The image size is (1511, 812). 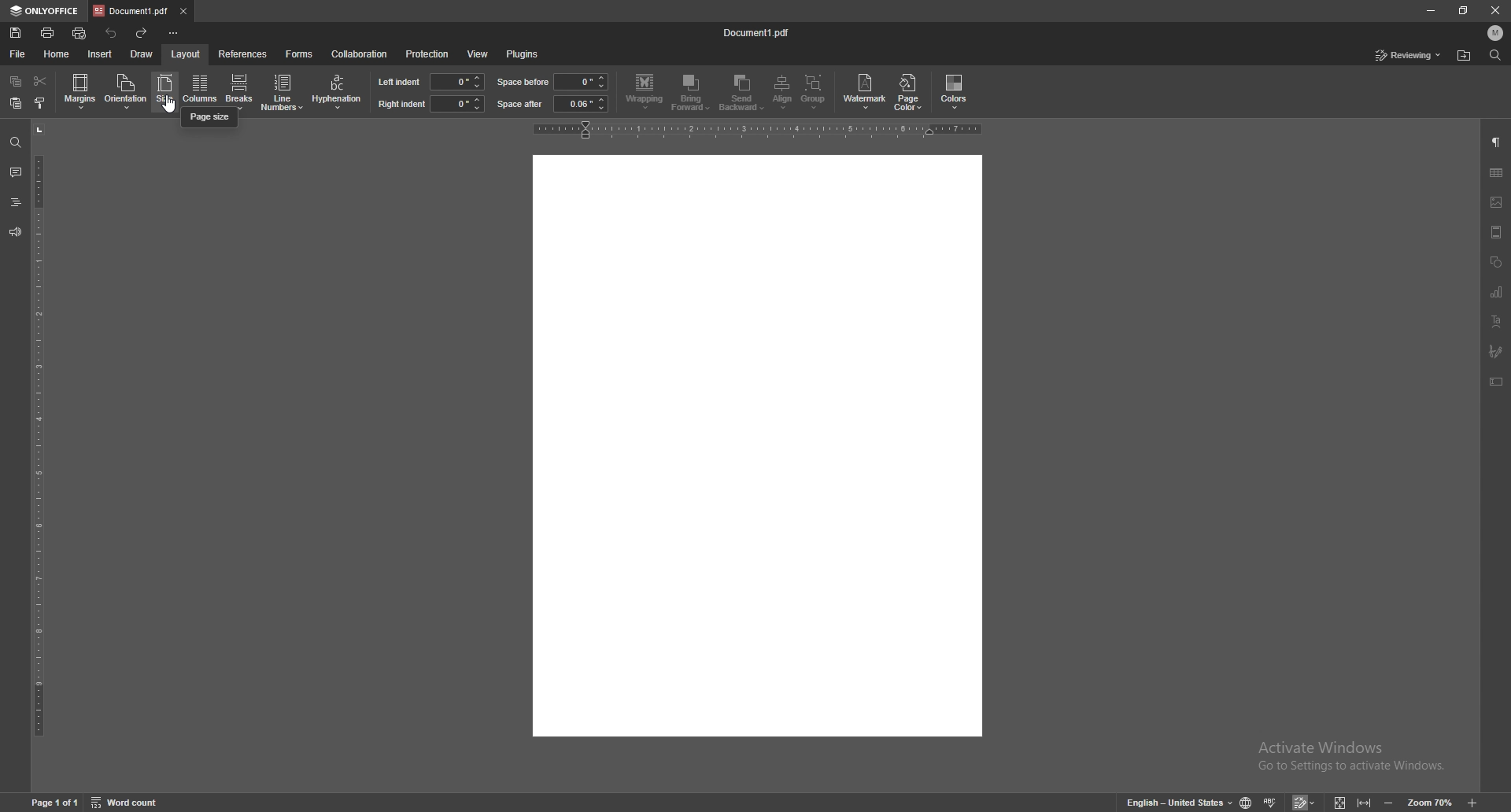 What do you see at coordinates (1247, 802) in the screenshot?
I see `change doc language` at bounding box center [1247, 802].